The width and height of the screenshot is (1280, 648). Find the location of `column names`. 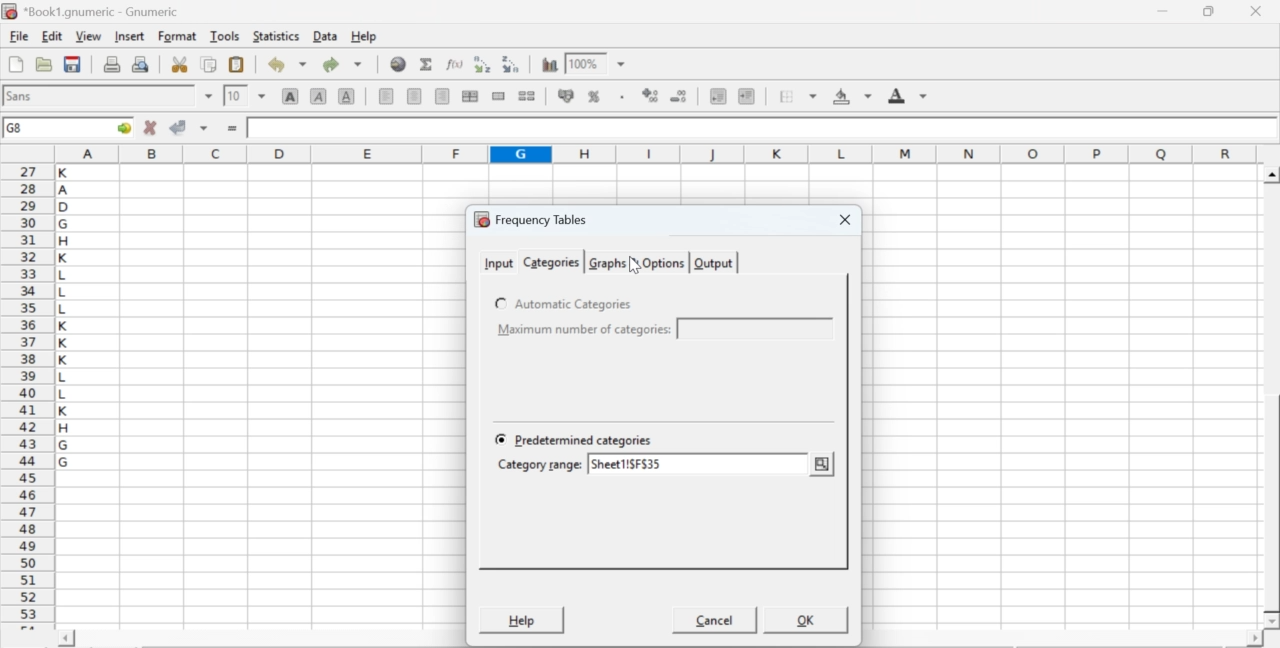

column names is located at coordinates (653, 153).